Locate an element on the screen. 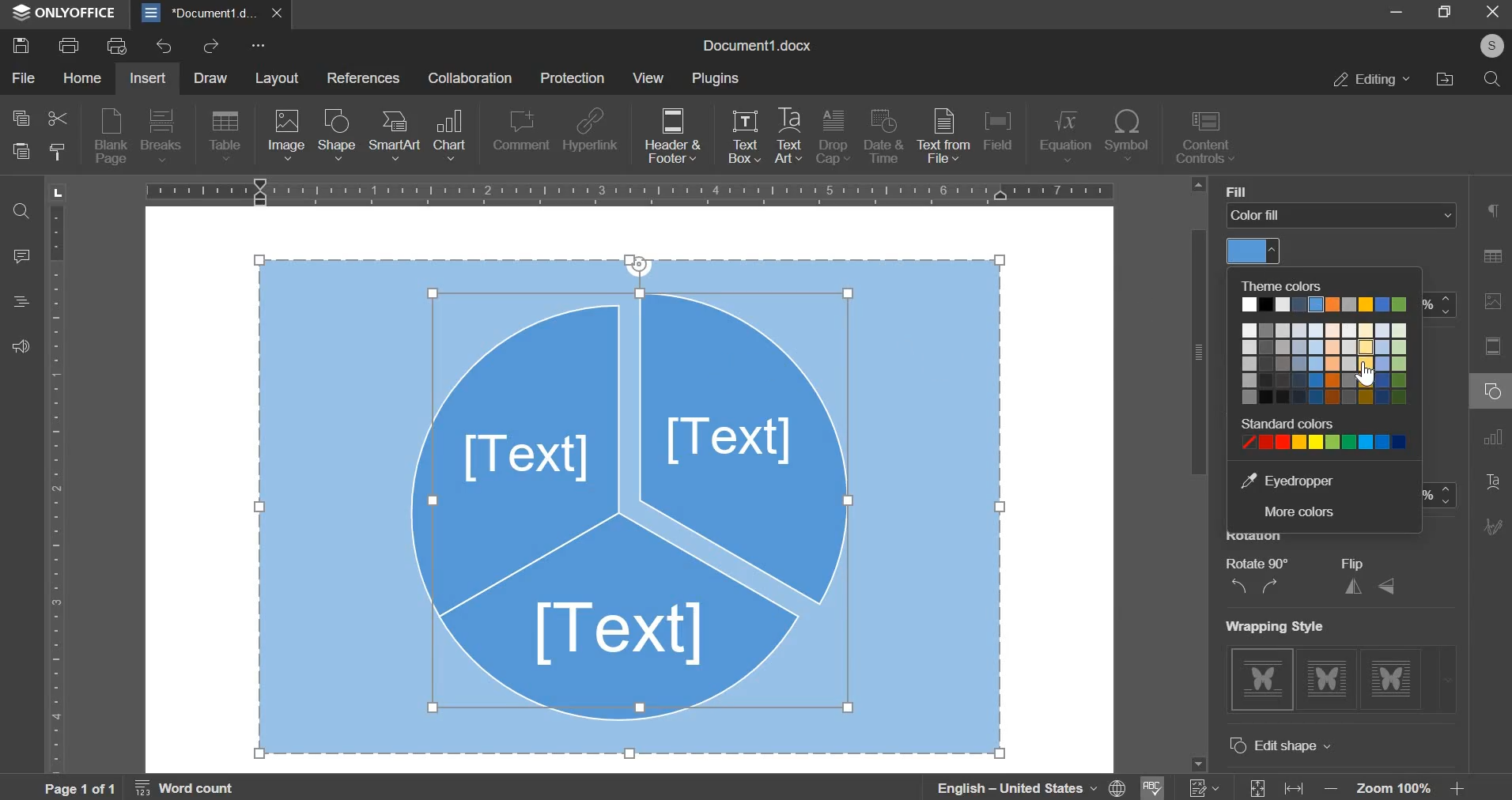 The image size is (1512, 800). protection is located at coordinates (571, 77).